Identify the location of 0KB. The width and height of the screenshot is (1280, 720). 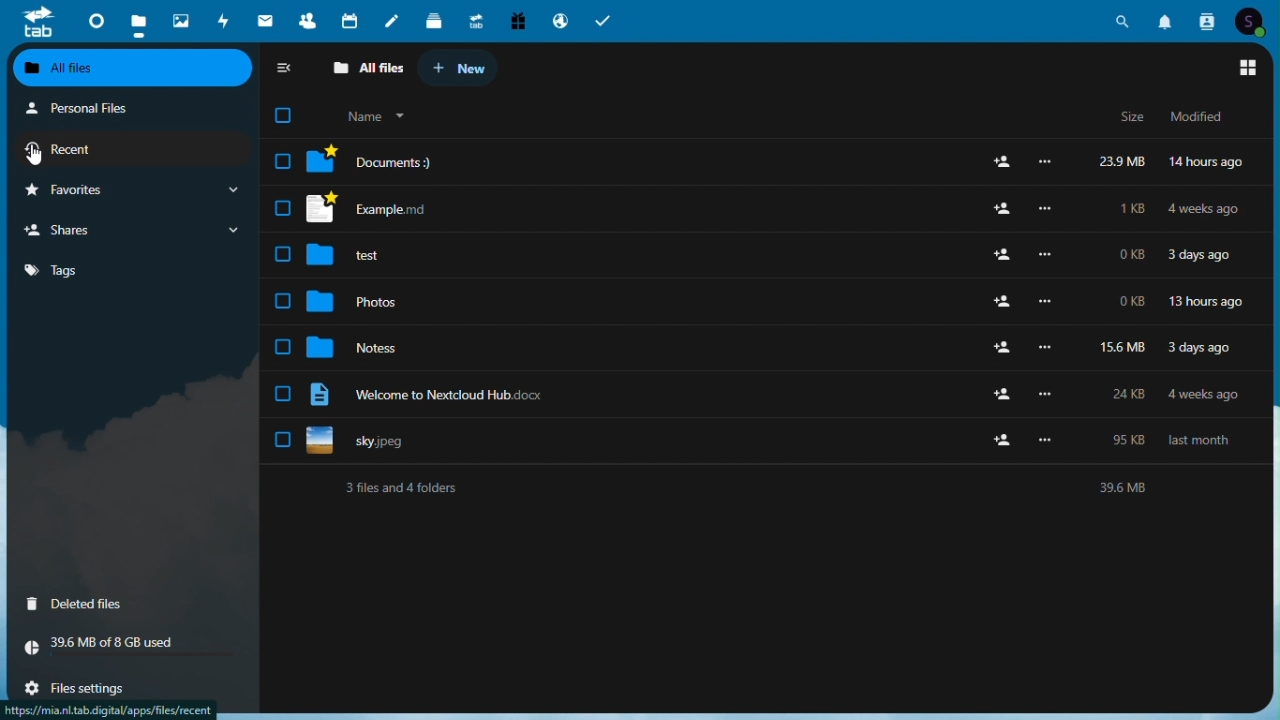
(1128, 255).